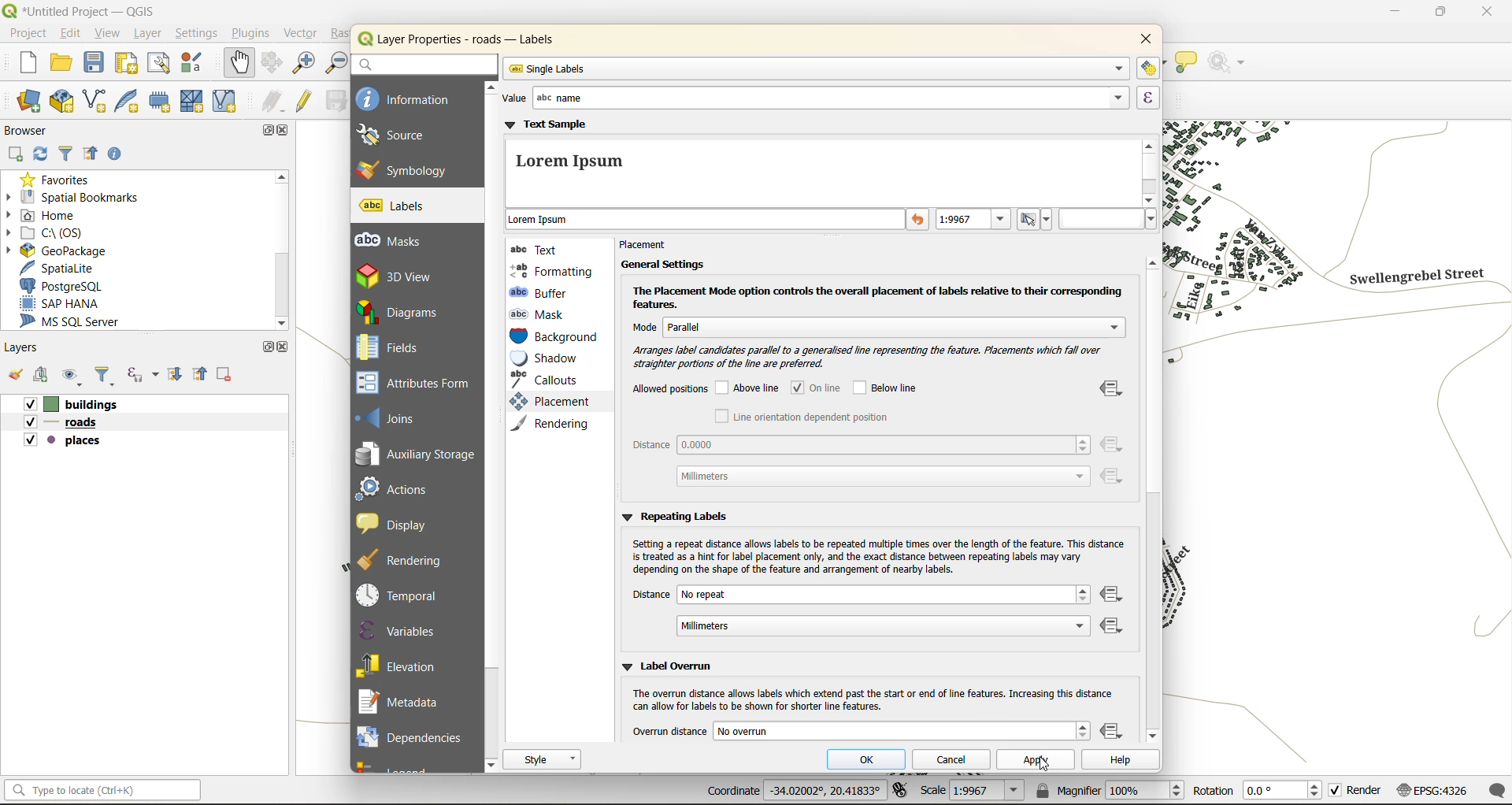  I want to click on online checked, so click(822, 388).